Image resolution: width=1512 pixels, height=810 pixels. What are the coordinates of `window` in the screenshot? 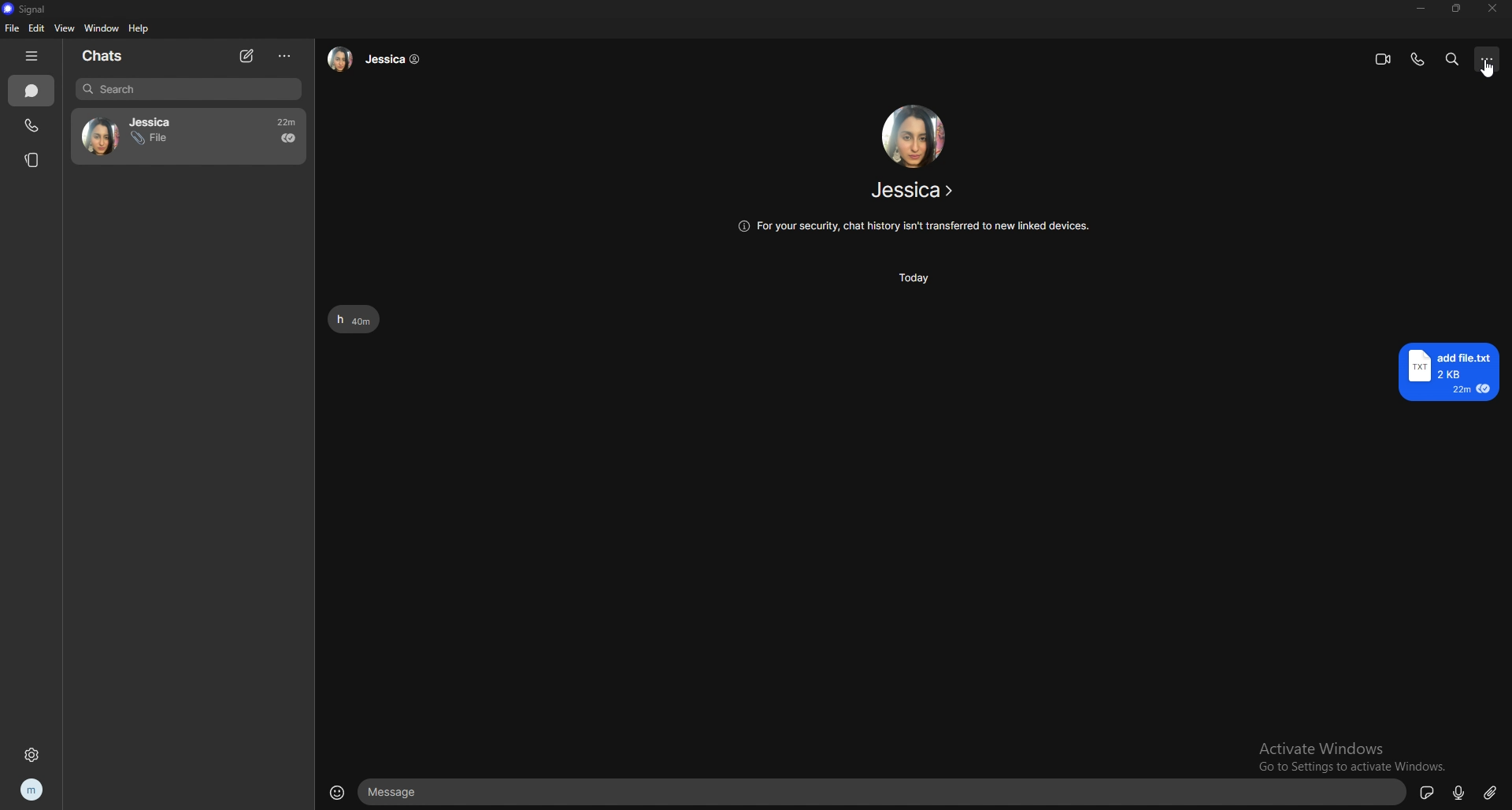 It's located at (101, 28).